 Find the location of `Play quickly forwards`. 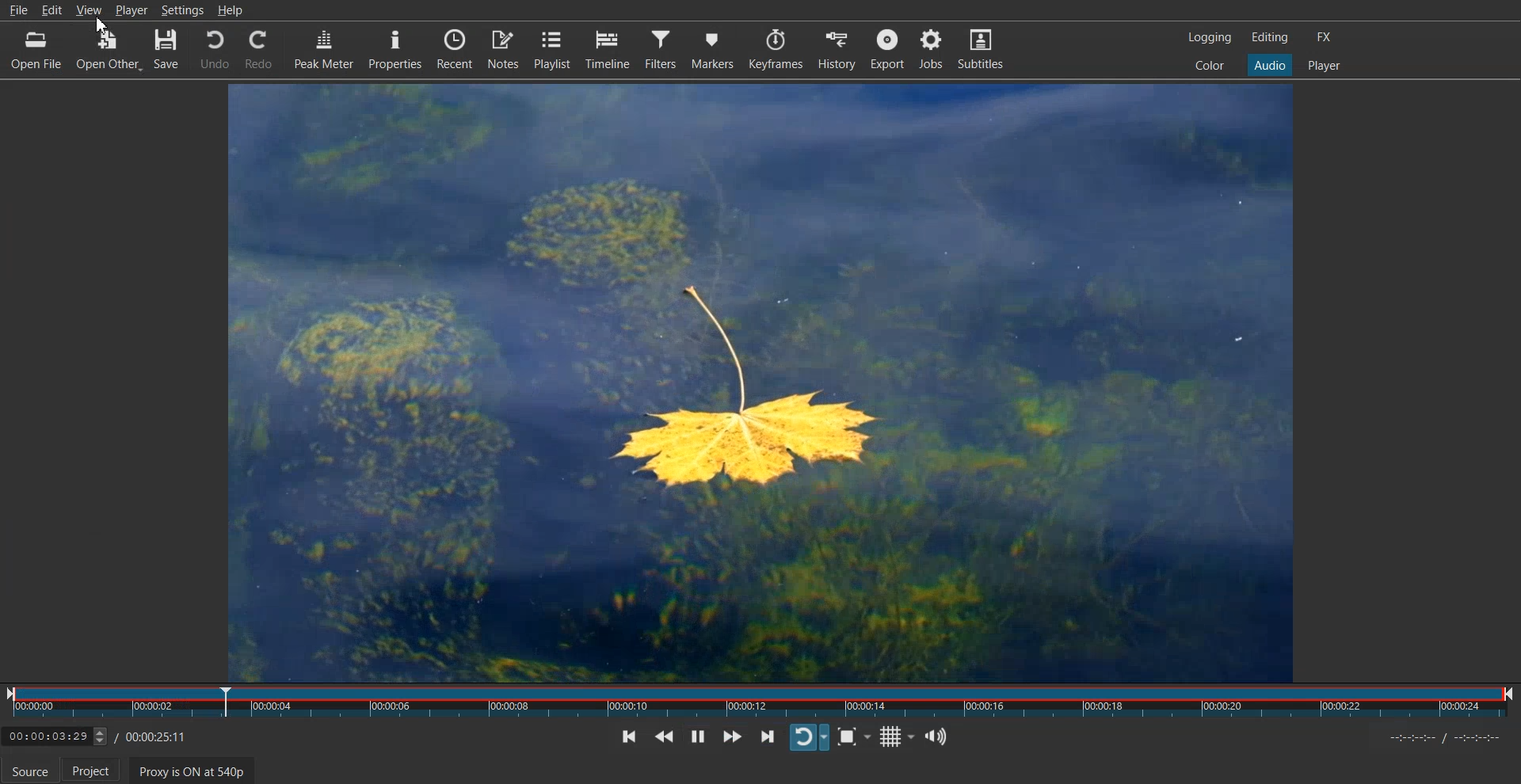

Play quickly forwards is located at coordinates (733, 736).